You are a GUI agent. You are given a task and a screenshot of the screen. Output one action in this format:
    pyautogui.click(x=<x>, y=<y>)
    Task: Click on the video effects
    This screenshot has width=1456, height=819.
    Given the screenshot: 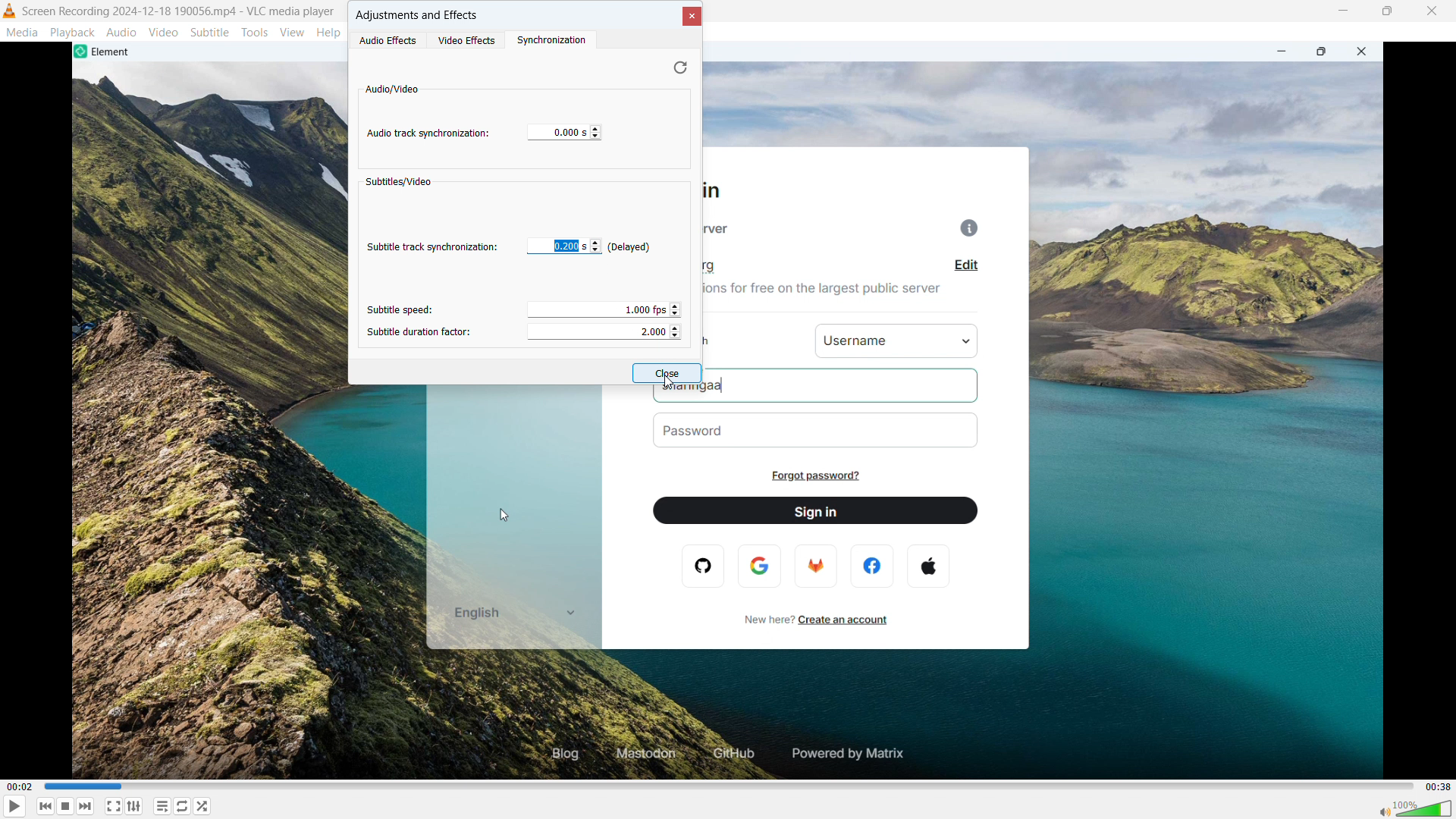 What is the action you would take?
    pyautogui.click(x=466, y=40)
    